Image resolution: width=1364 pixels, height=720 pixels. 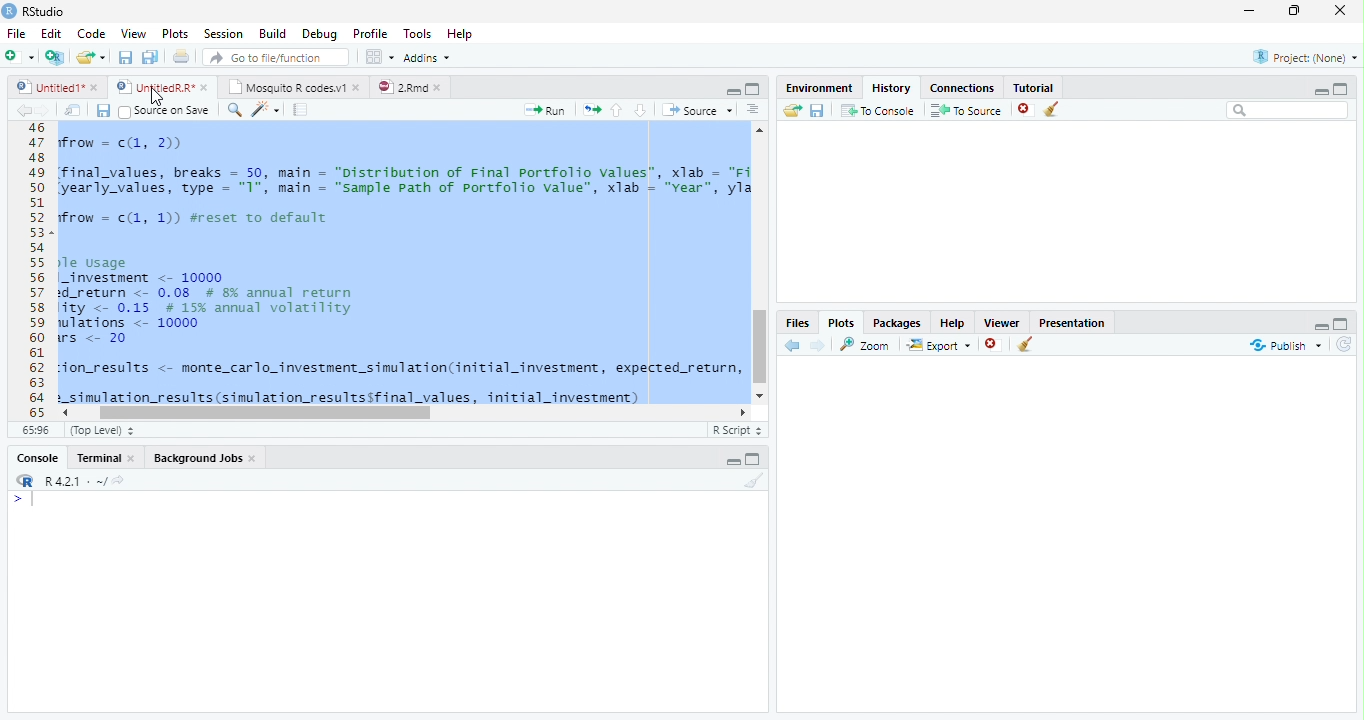 What do you see at coordinates (590, 110) in the screenshot?
I see `Re-run the previous code region` at bounding box center [590, 110].